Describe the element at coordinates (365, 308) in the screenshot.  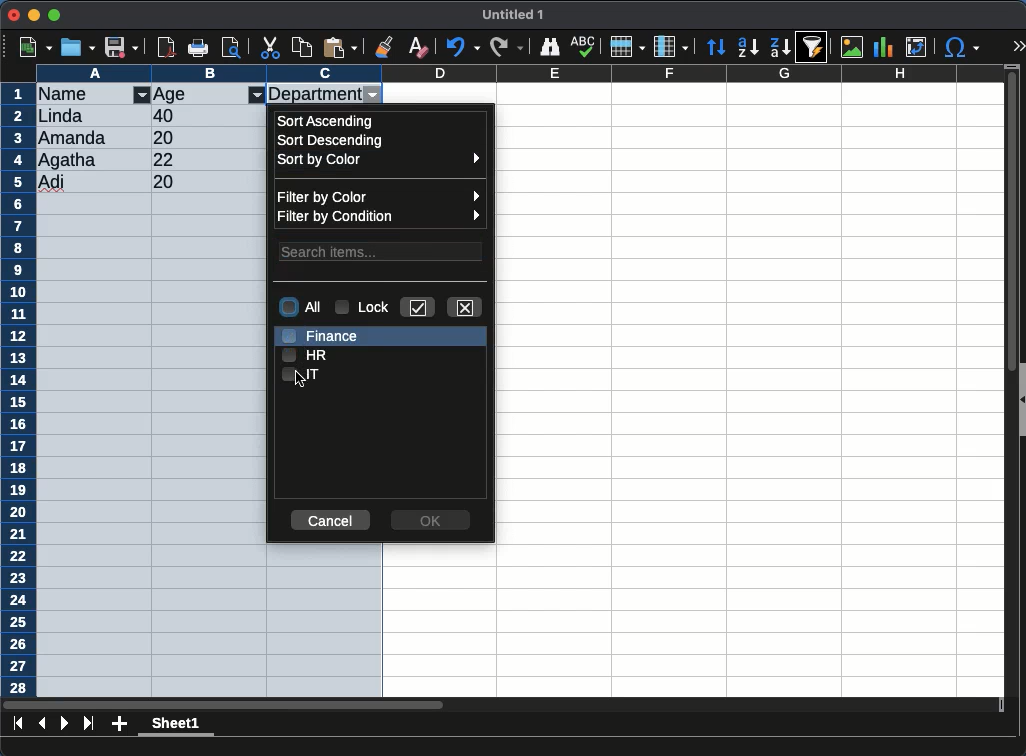
I see `lock` at that location.